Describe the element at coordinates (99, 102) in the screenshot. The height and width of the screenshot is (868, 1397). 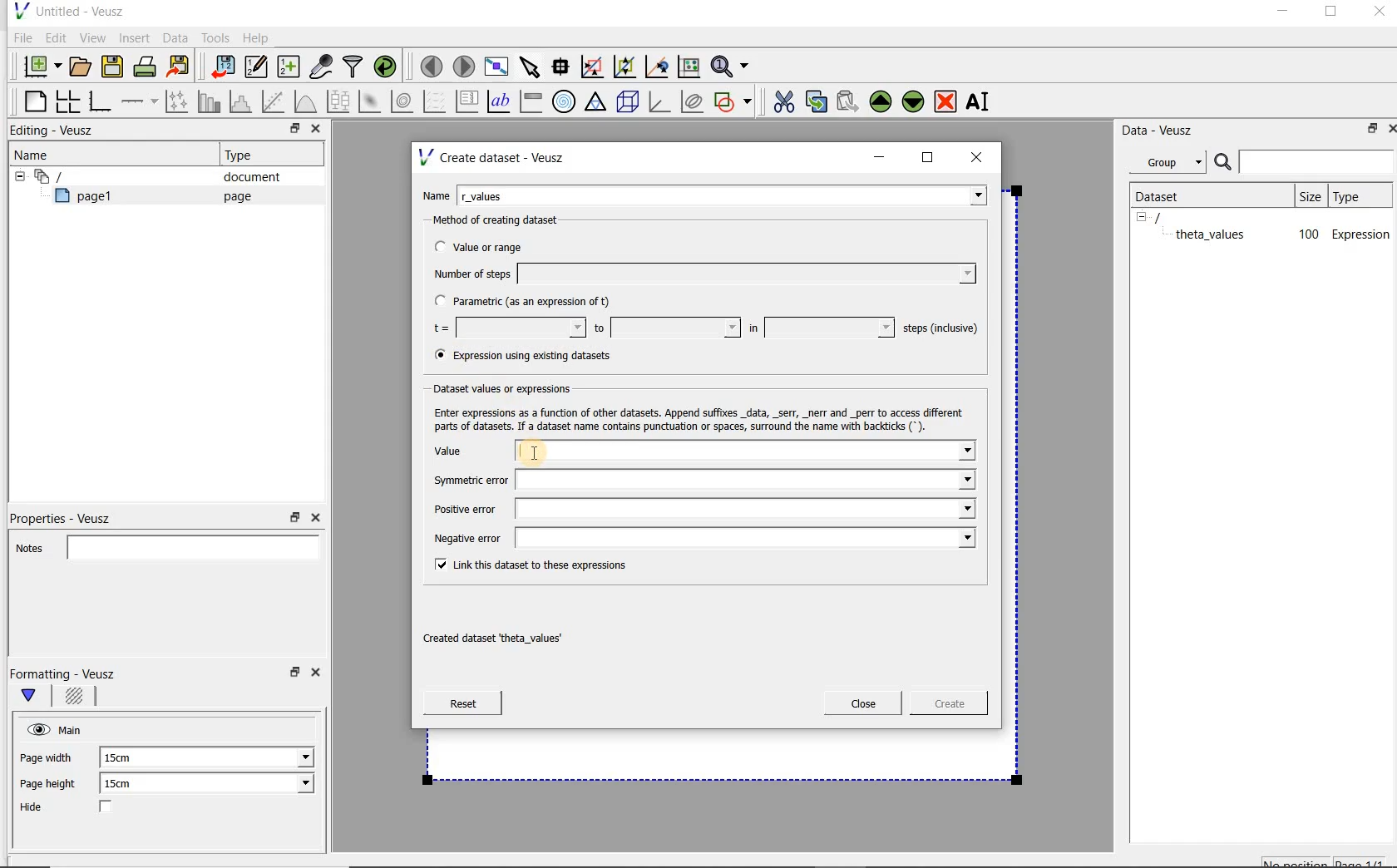
I see `base graph` at that location.